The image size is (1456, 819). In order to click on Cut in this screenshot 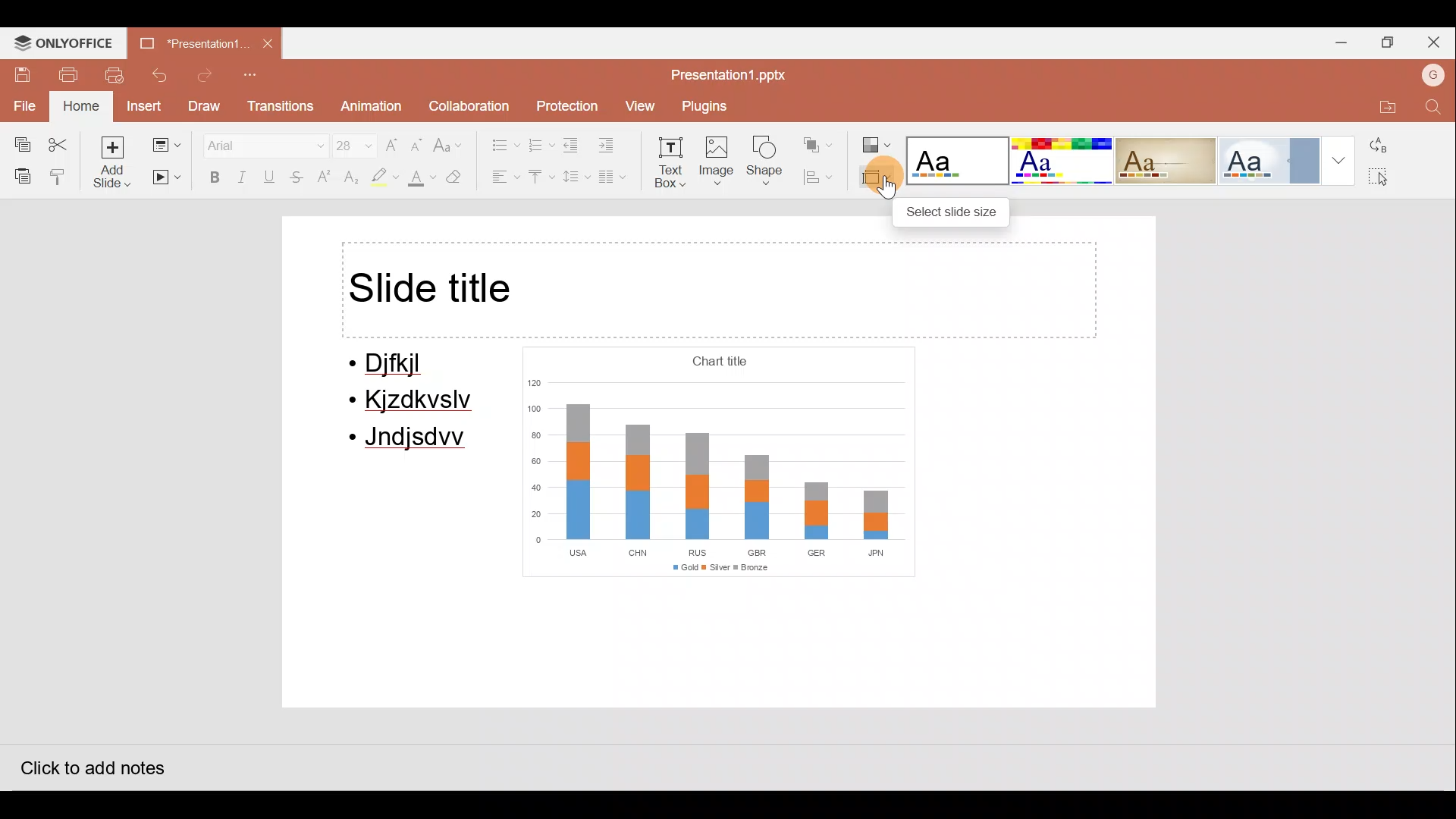, I will do `click(62, 140)`.